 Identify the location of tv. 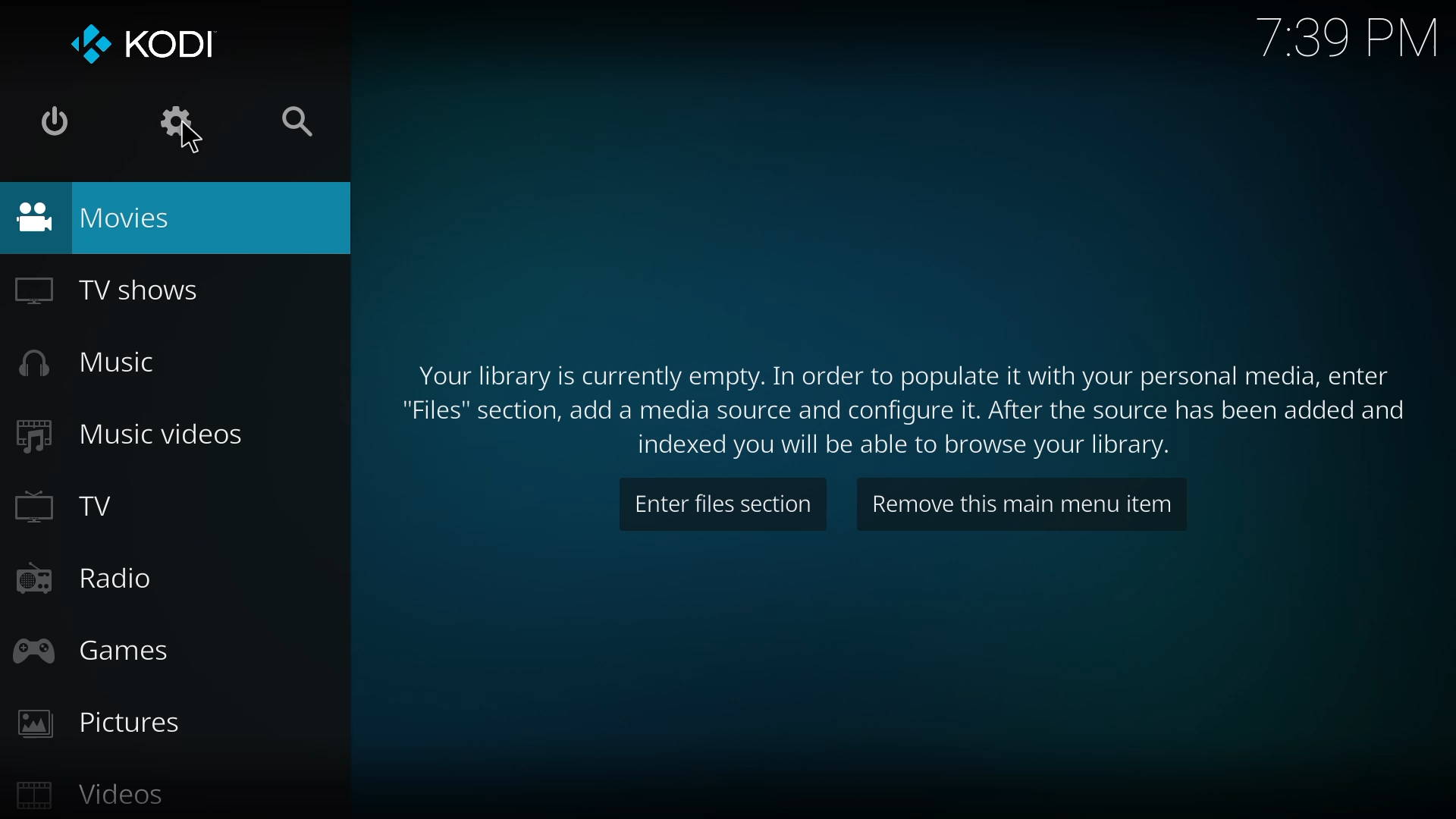
(66, 504).